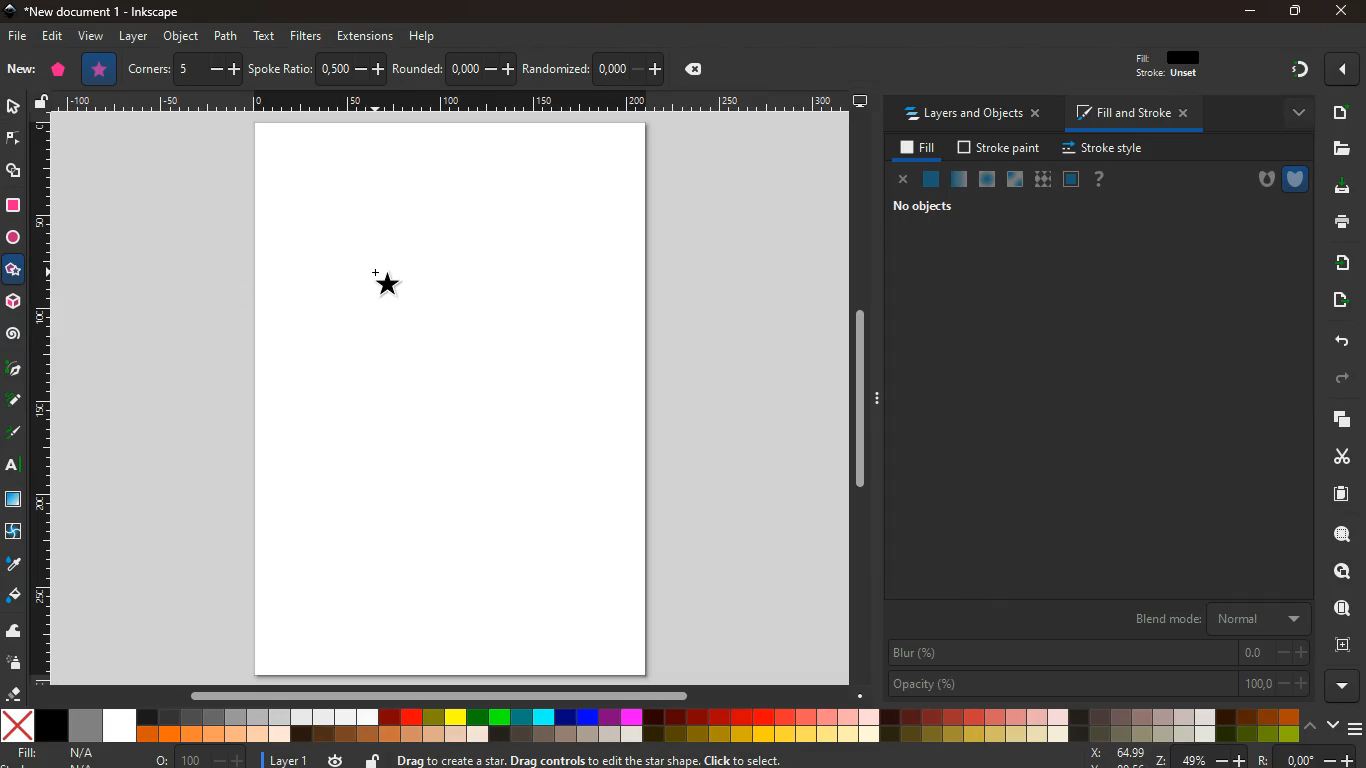  Describe the element at coordinates (14, 564) in the screenshot. I see `drop` at that location.